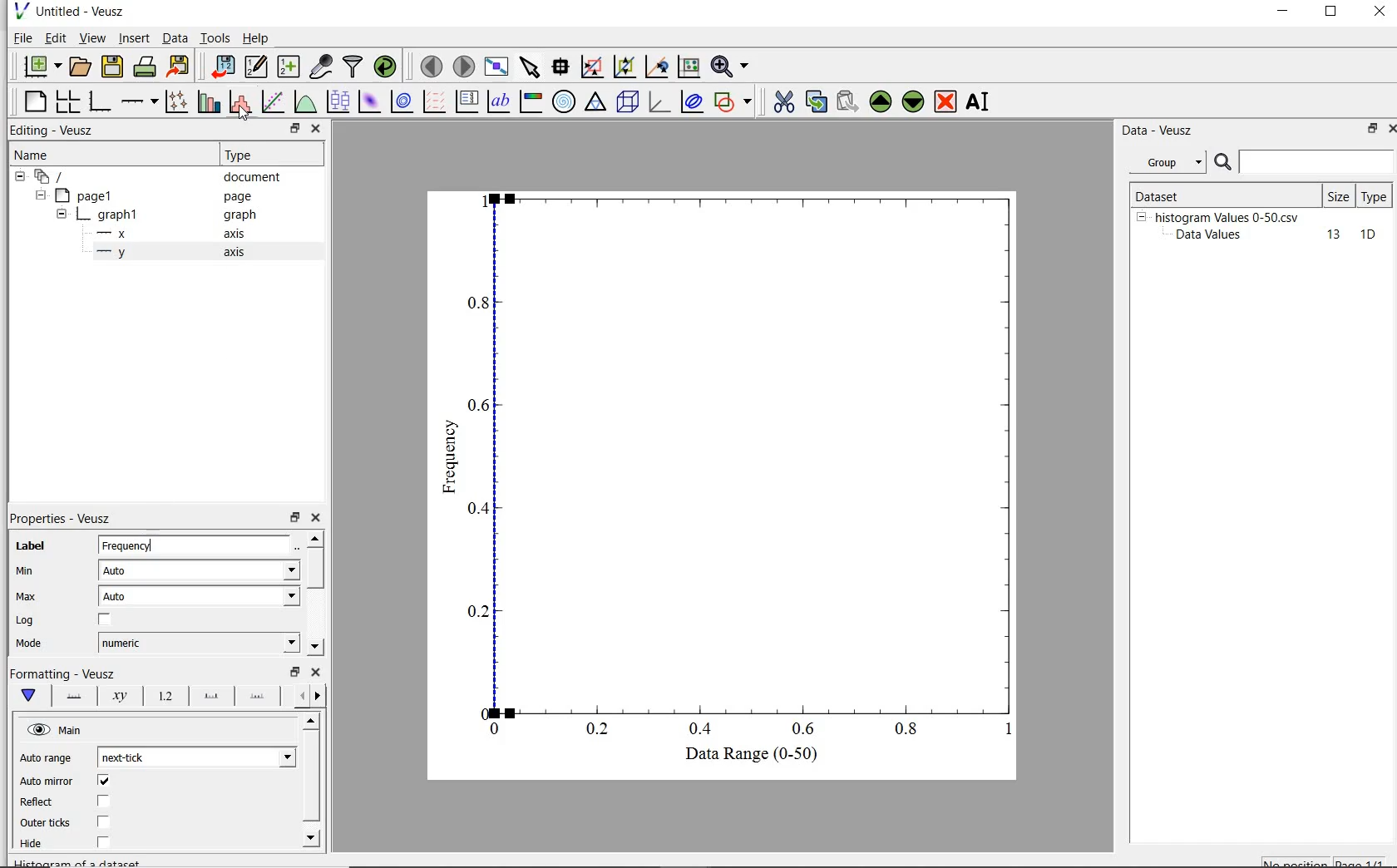  I want to click on Data Values, so click(1214, 235).